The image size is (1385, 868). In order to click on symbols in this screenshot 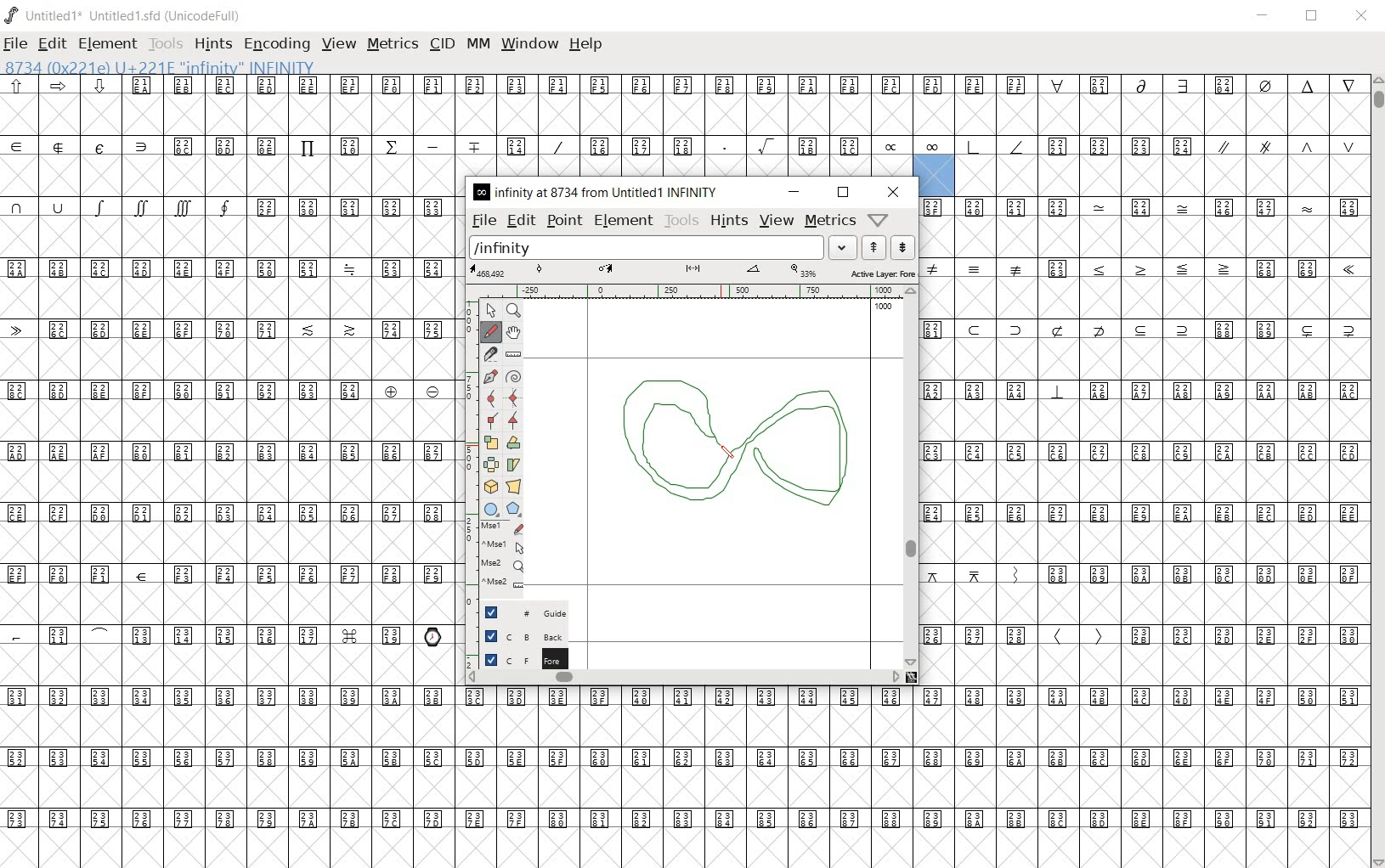, I will do `click(1078, 636)`.